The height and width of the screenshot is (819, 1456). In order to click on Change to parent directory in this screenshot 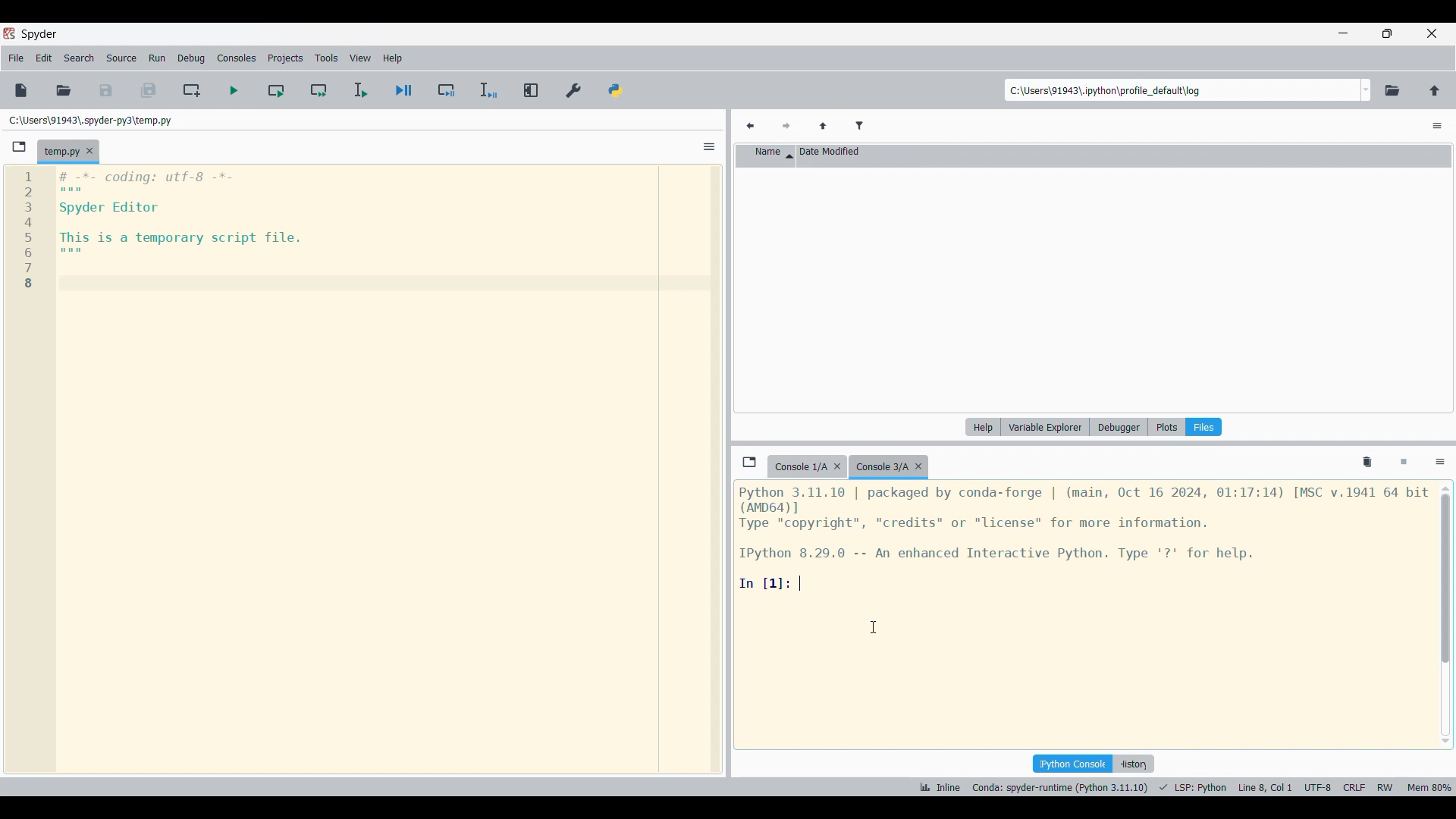, I will do `click(1435, 91)`.